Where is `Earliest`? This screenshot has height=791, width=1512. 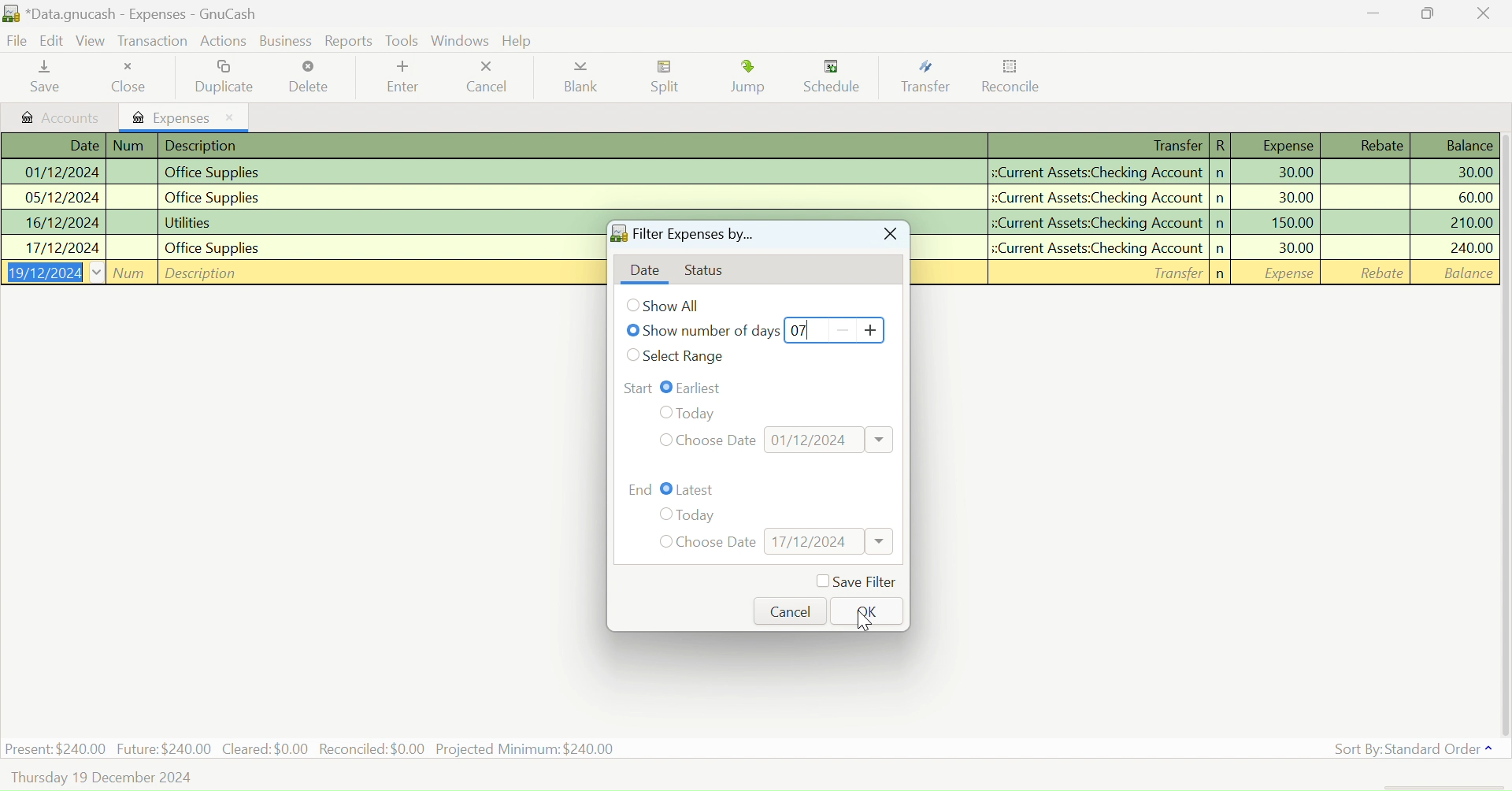 Earliest is located at coordinates (705, 387).